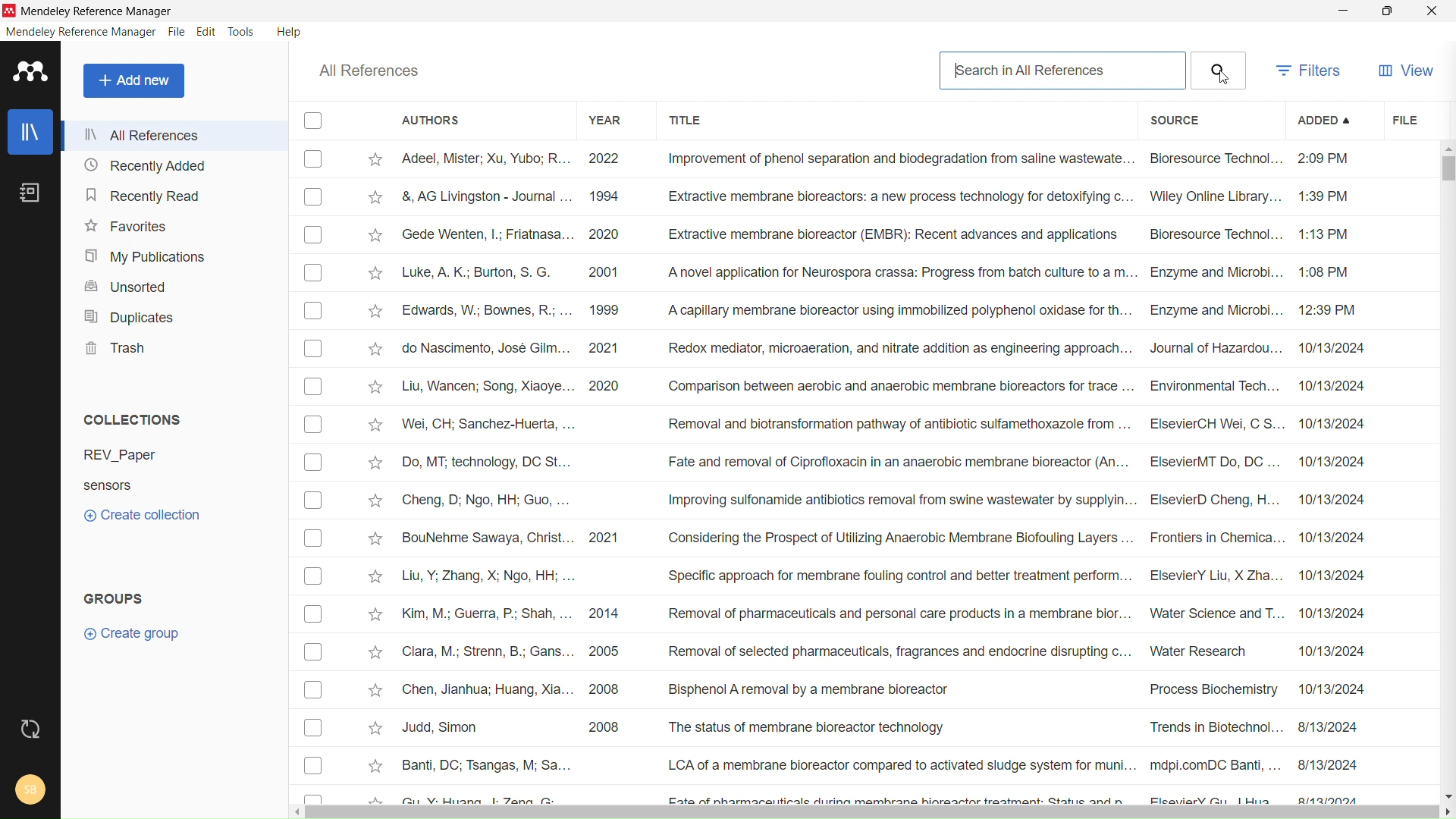  I want to click on create collection, so click(176, 516).